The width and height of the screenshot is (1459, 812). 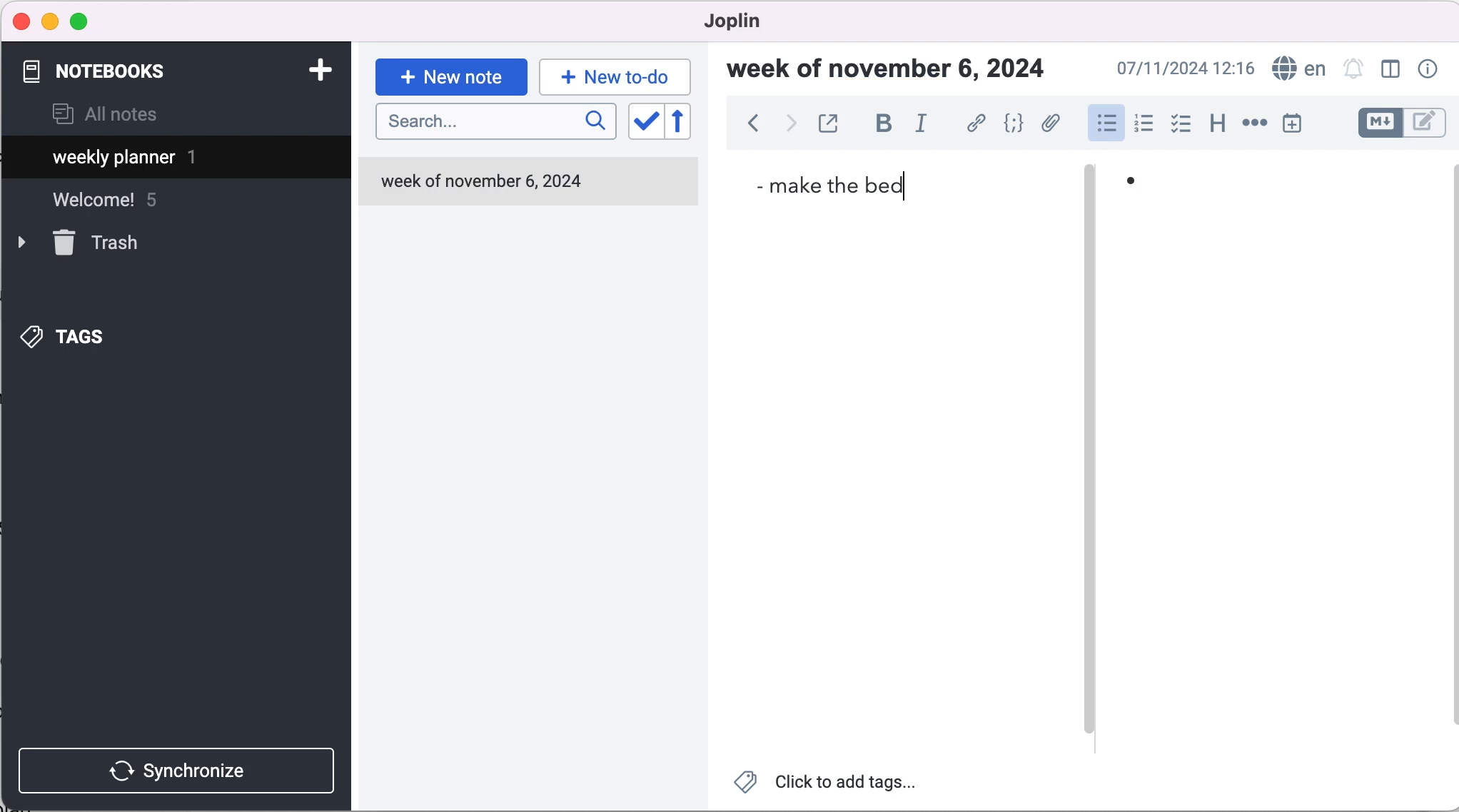 I want to click on maximize, so click(x=82, y=22).